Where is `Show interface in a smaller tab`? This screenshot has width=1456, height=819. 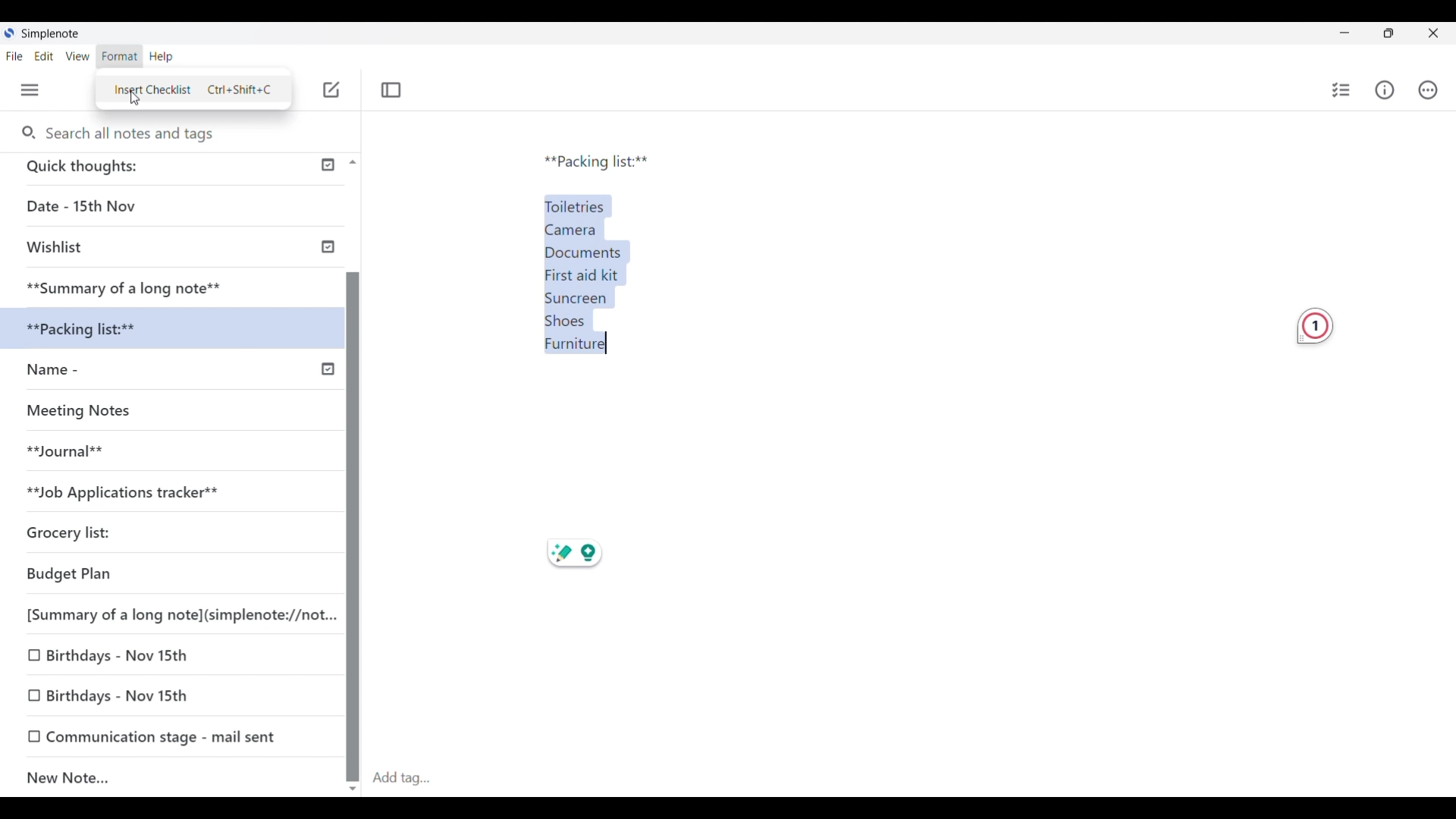
Show interface in a smaller tab is located at coordinates (1389, 33).